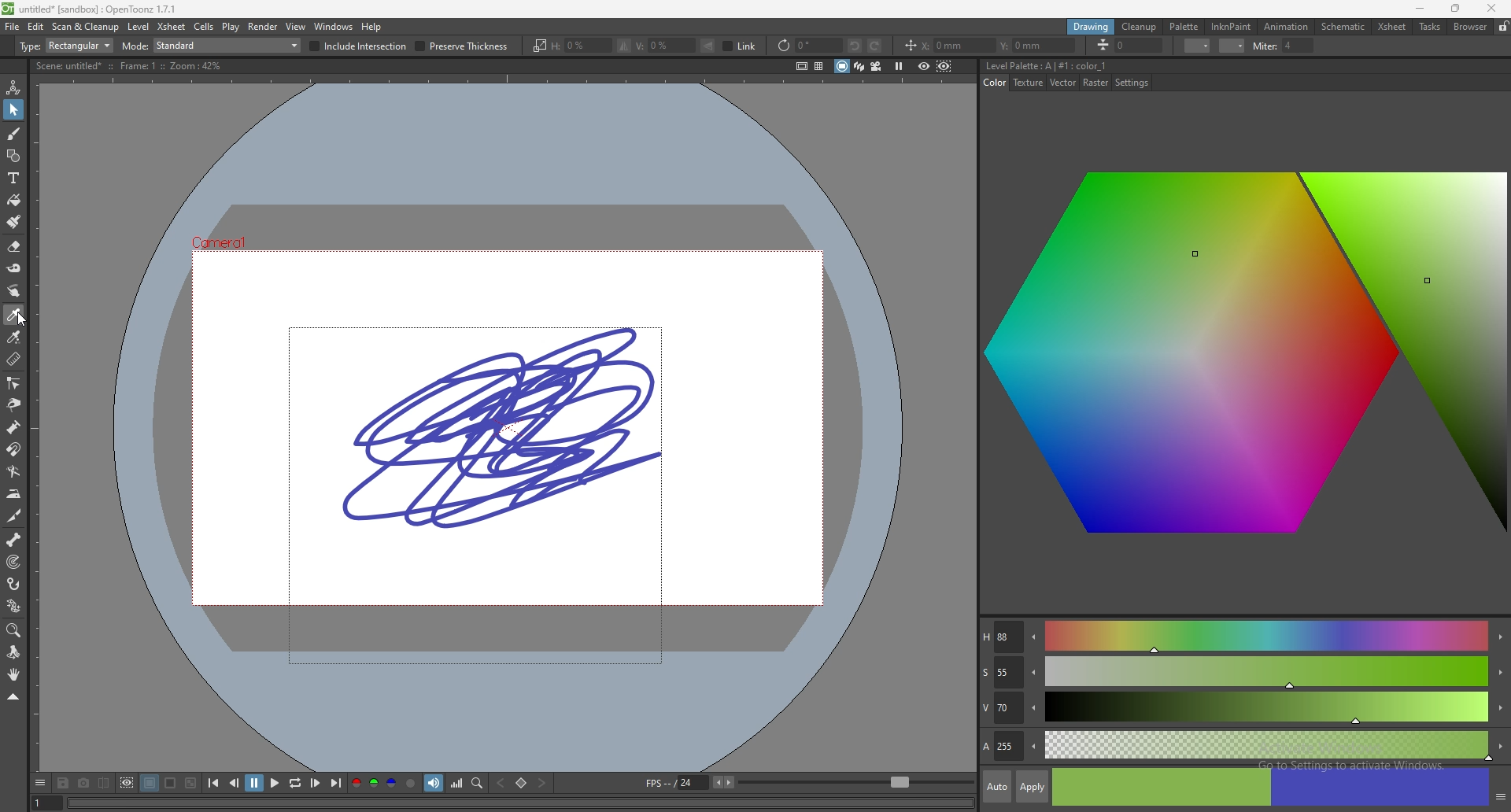 The height and width of the screenshot is (812, 1511). Describe the element at coordinates (334, 26) in the screenshot. I see `windows` at that location.